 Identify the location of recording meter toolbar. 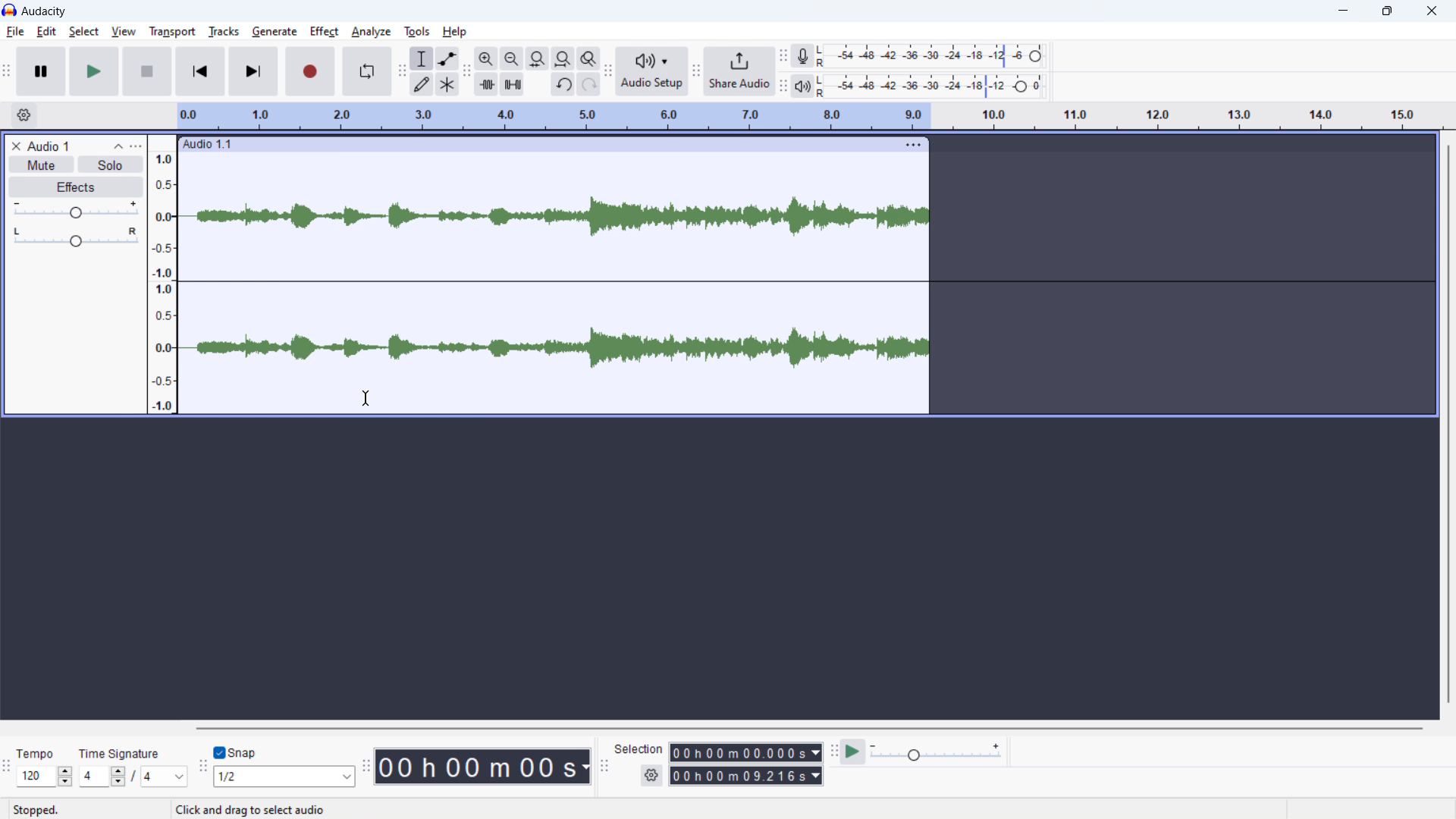
(783, 55).